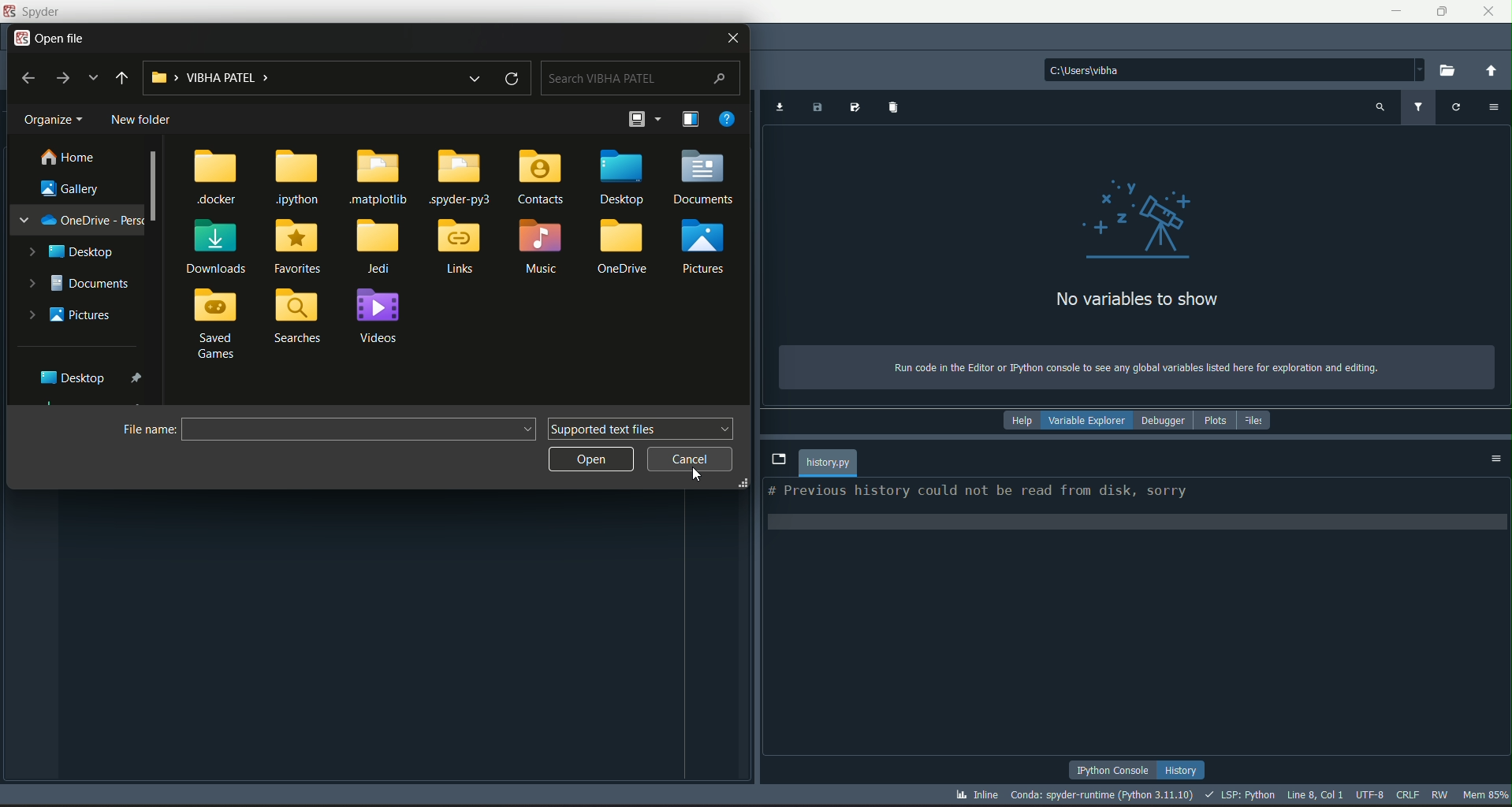  What do you see at coordinates (150, 430) in the screenshot?
I see `file name` at bounding box center [150, 430].